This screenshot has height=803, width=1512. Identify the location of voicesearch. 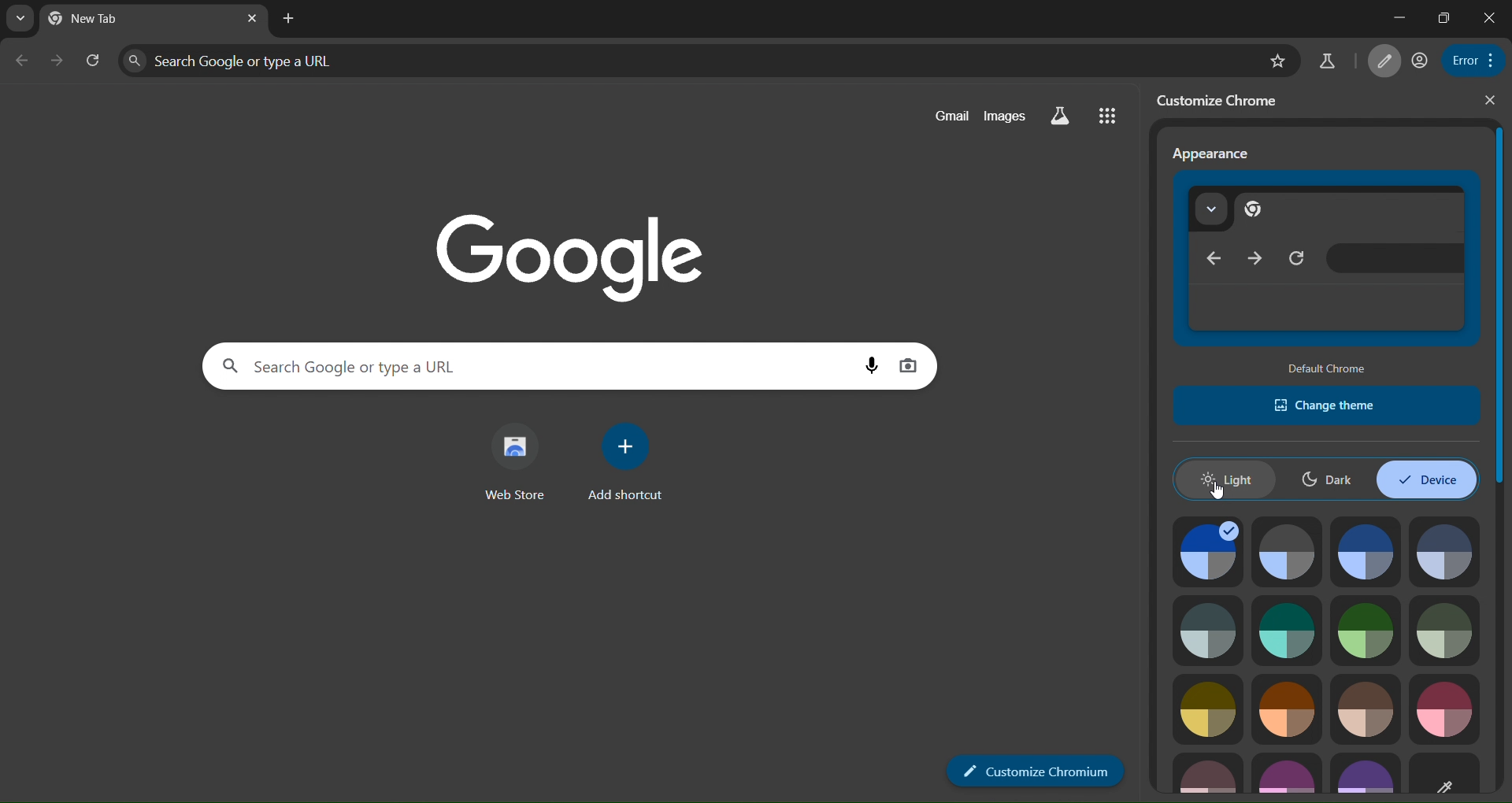
(909, 367).